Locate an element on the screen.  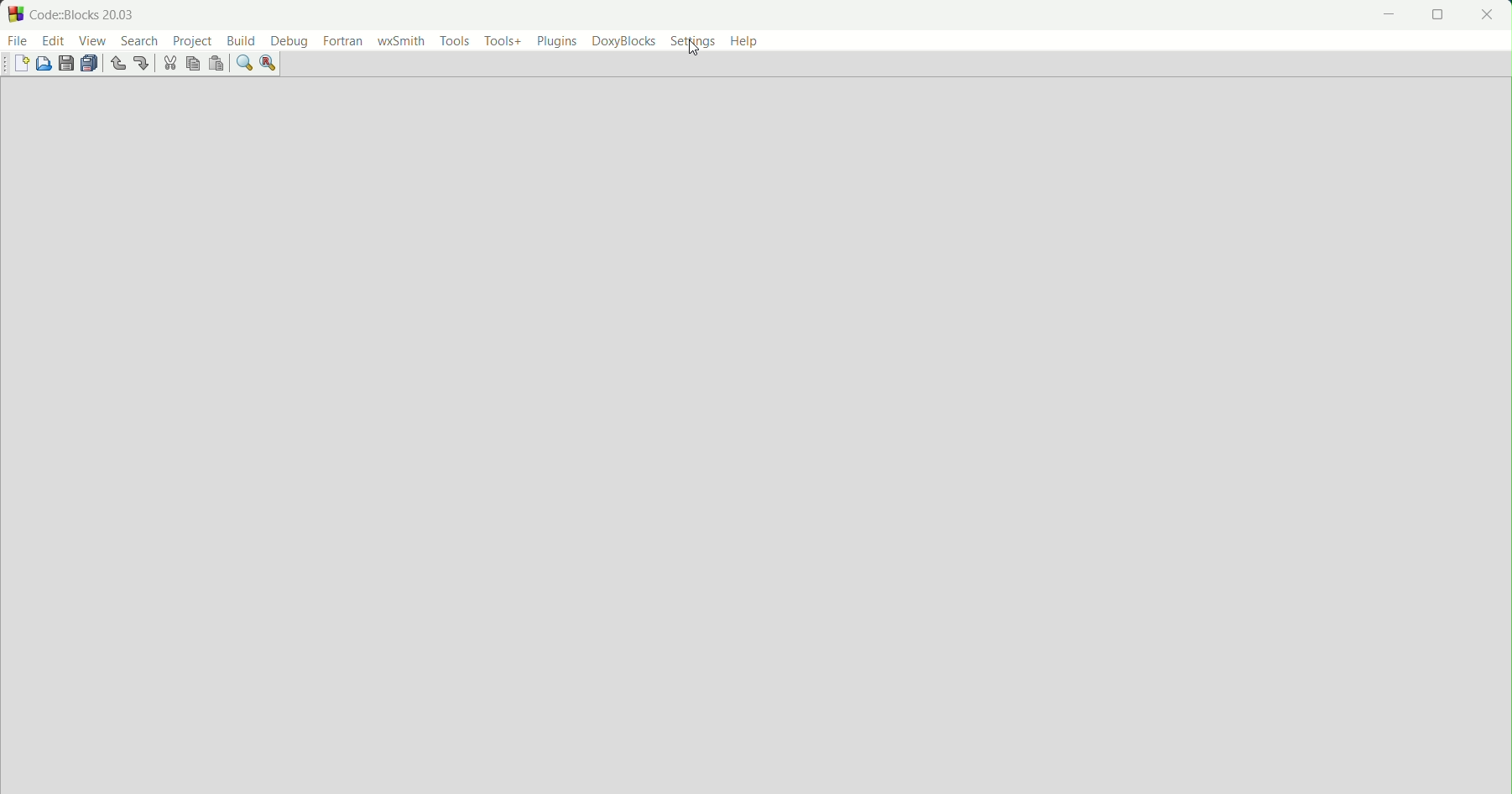
edit is located at coordinates (54, 41).